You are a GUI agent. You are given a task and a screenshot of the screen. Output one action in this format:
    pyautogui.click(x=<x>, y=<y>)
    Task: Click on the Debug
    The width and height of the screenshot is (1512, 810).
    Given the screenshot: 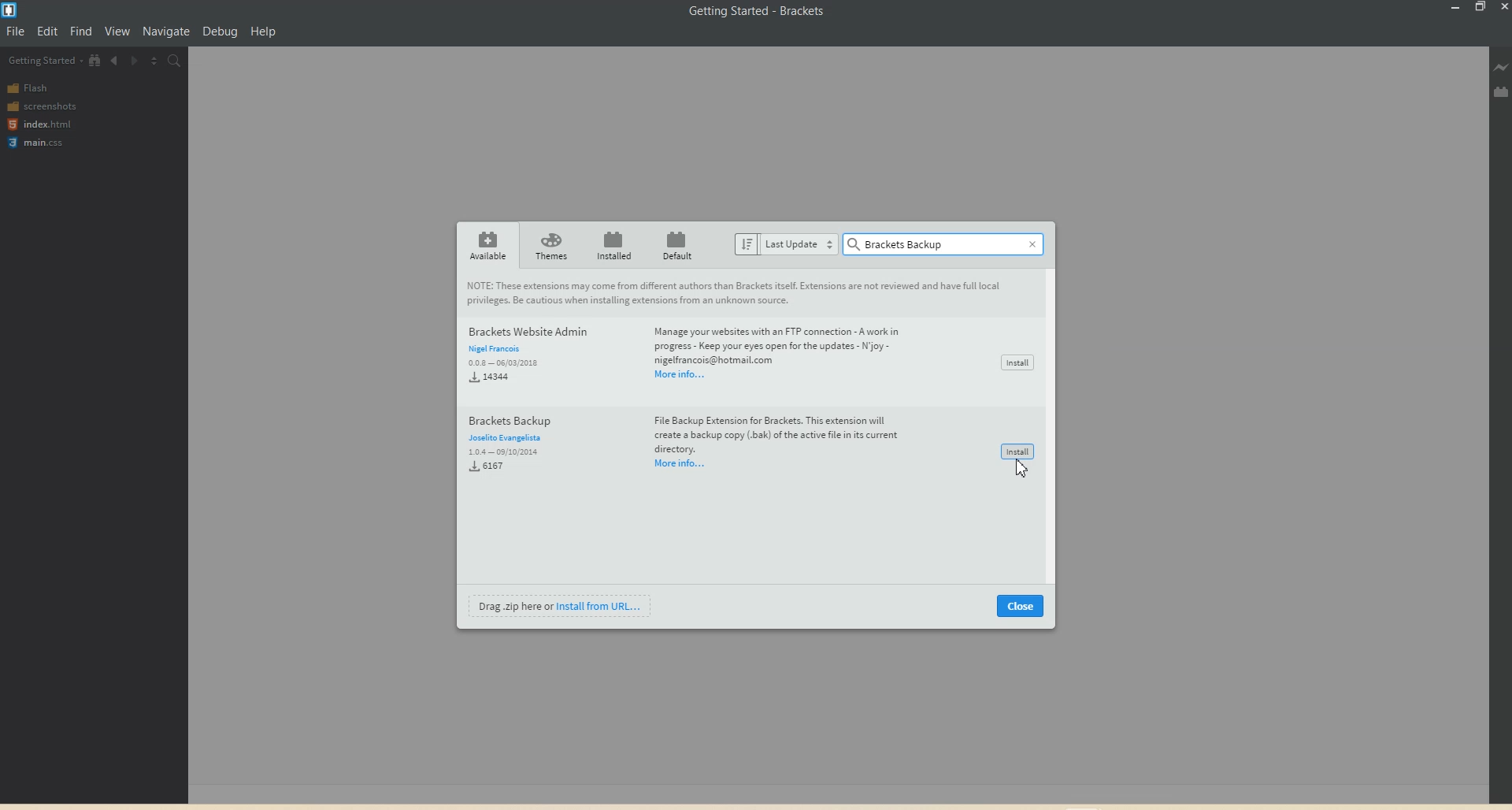 What is the action you would take?
    pyautogui.click(x=220, y=31)
    